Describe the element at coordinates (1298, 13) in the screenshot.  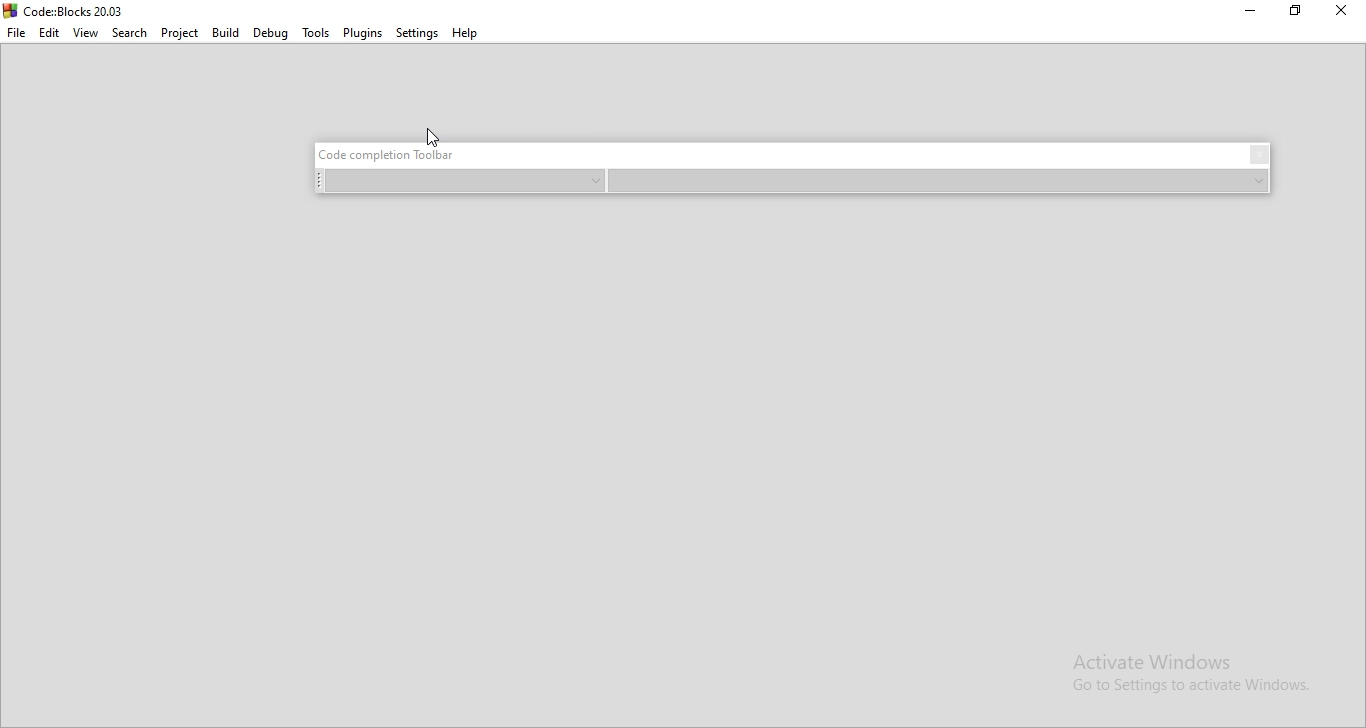
I see `Restore` at that location.